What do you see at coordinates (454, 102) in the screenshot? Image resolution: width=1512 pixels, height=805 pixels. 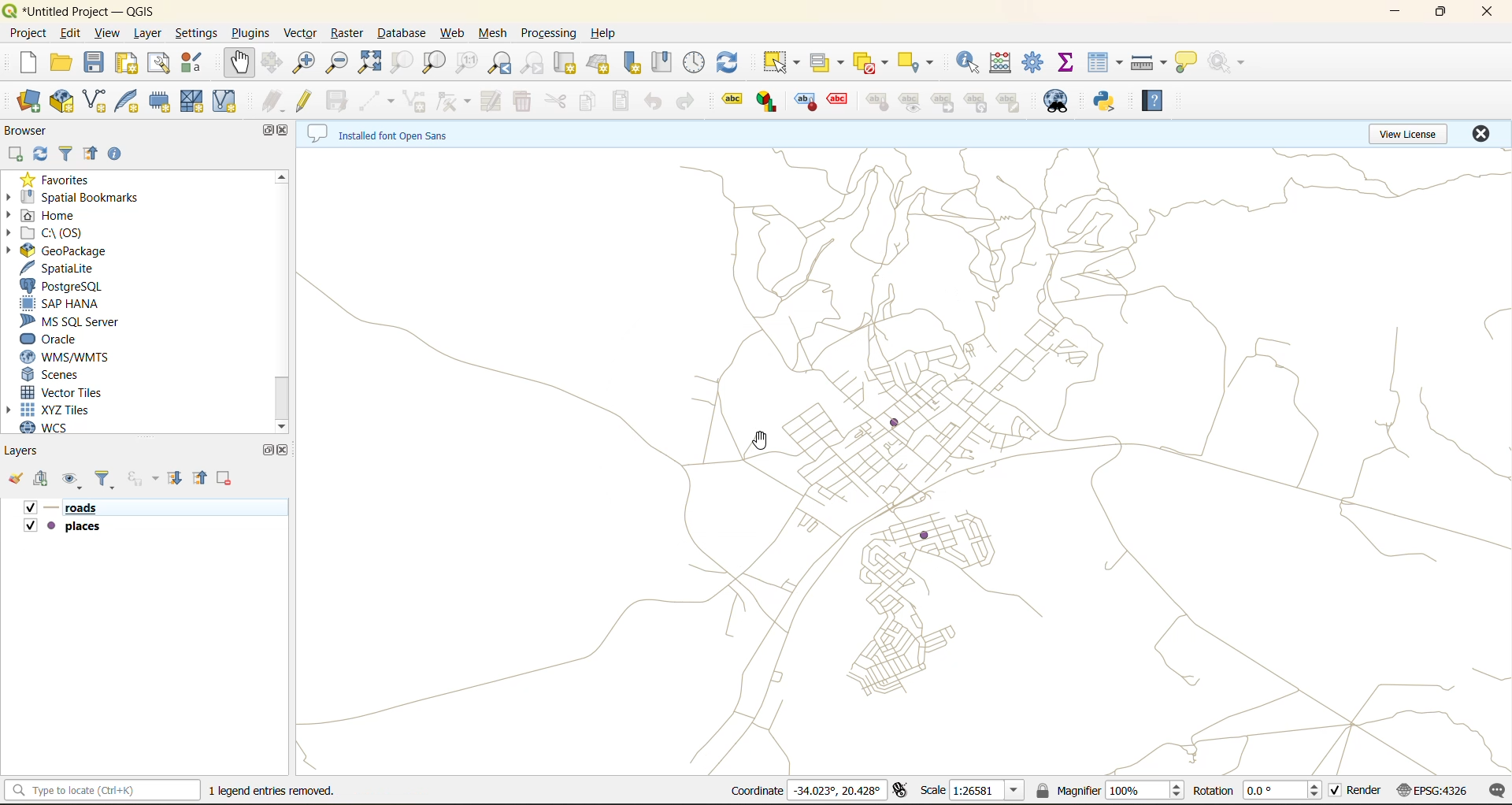 I see `vertex tools` at bounding box center [454, 102].